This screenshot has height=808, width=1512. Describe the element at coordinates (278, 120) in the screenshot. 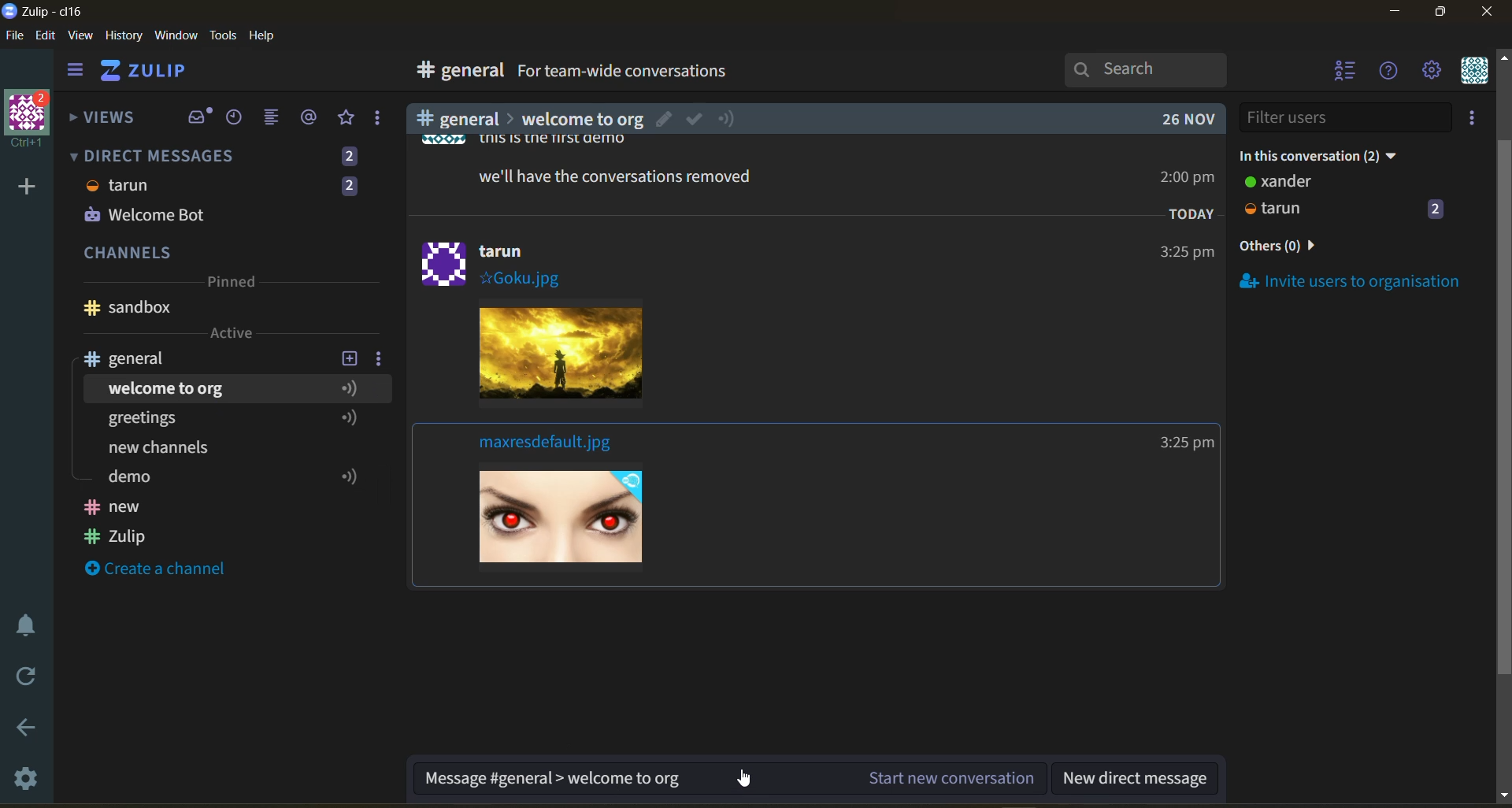

I see `combined feed` at that location.